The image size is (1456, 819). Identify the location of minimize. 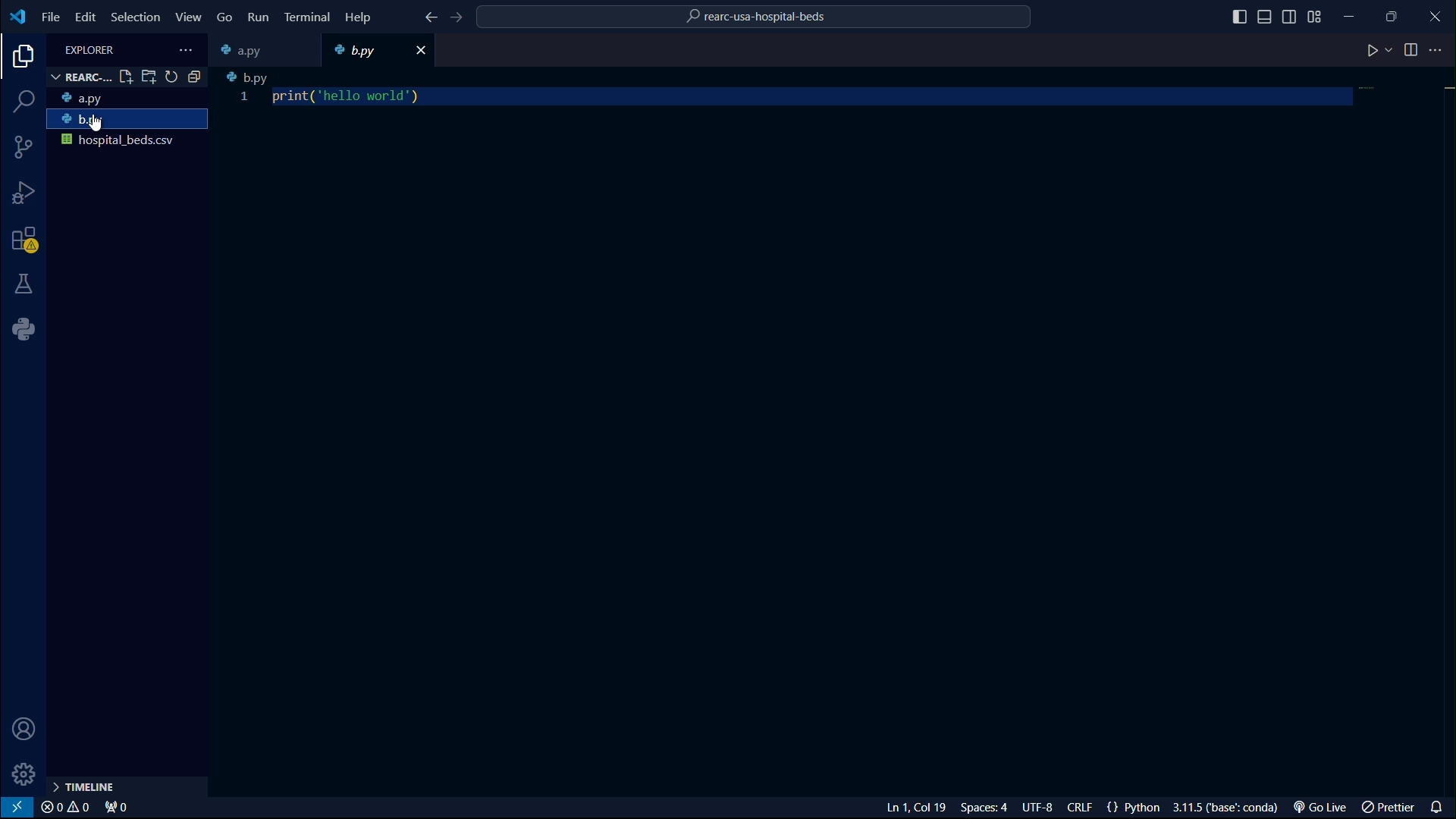
(1359, 15).